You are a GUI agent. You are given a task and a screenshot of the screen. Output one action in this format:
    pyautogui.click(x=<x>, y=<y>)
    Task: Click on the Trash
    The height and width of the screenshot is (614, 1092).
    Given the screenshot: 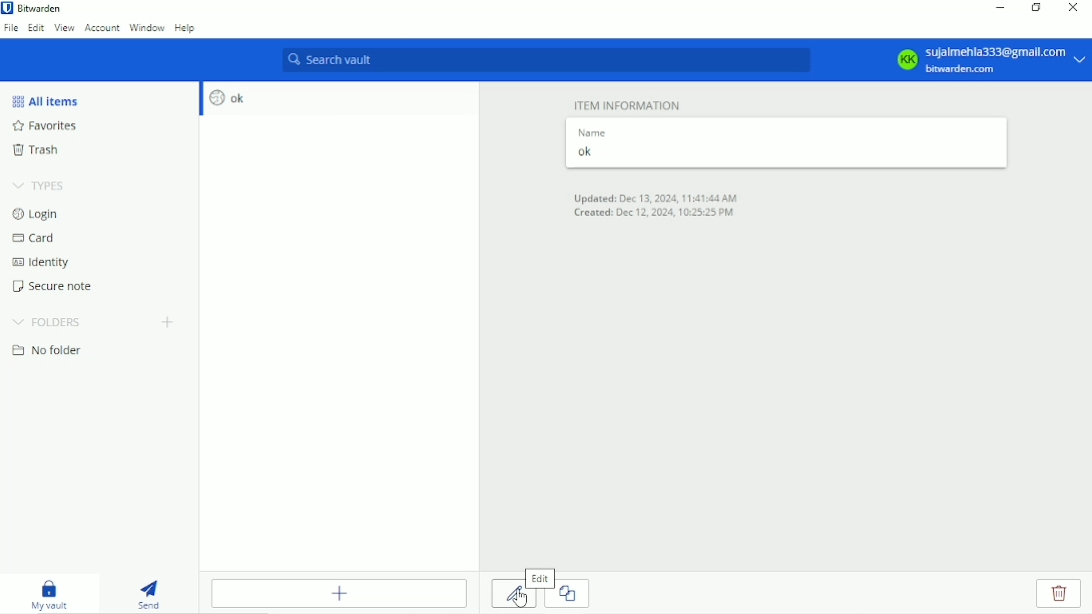 What is the action you would take?
    pyautogui.click(x=37, y=150)
    